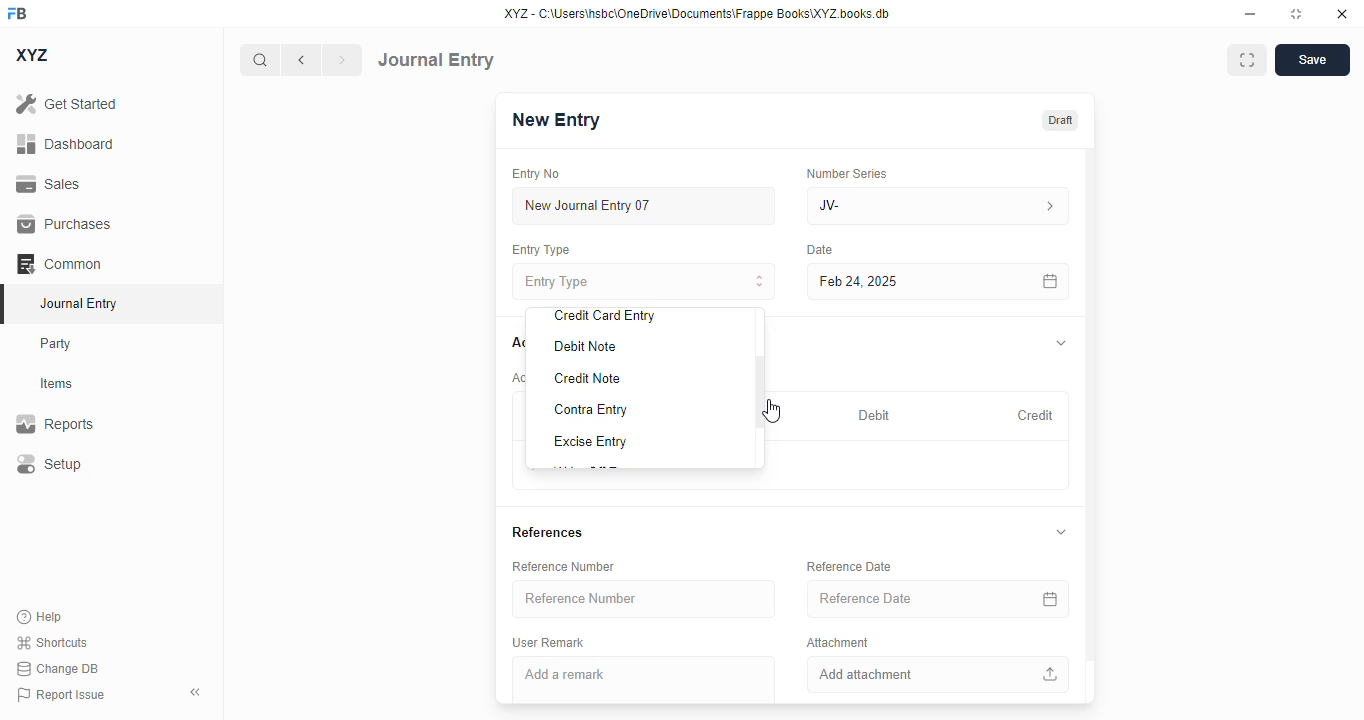  Describe the element at coordinates (820, 250) in the screenshot. I see `date` at that location.